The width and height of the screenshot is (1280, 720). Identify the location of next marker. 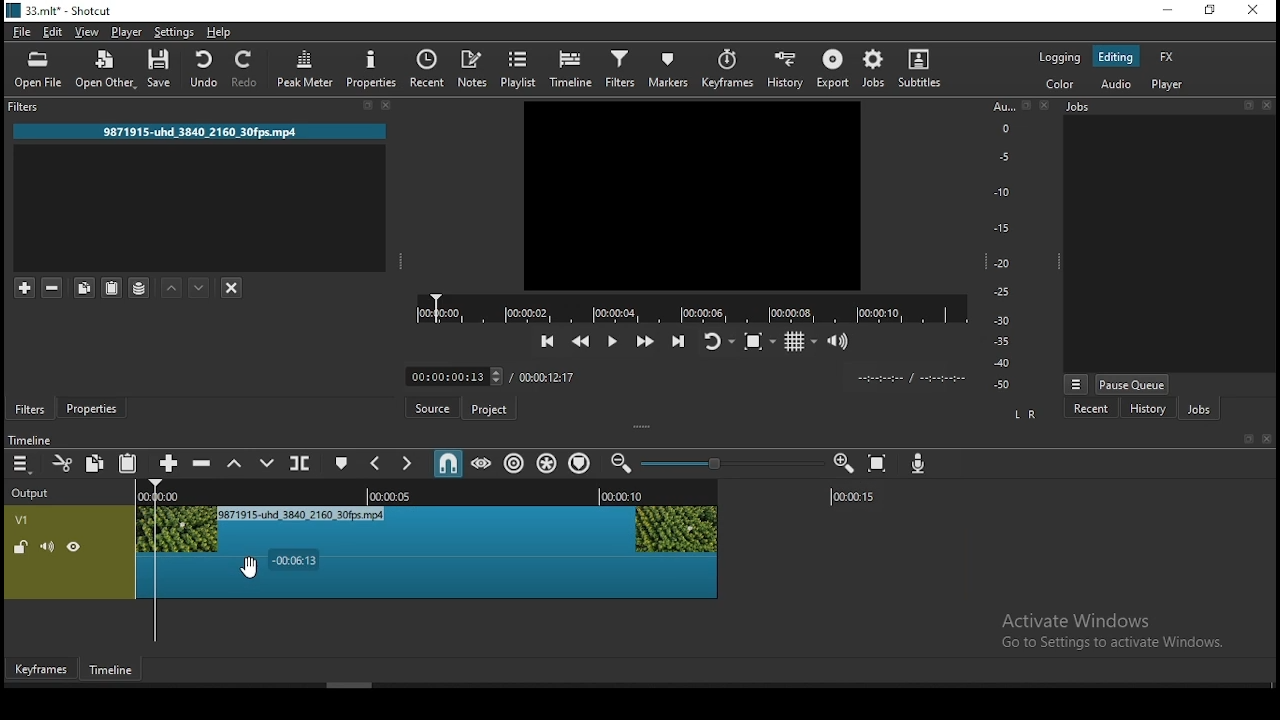
(408, 465).